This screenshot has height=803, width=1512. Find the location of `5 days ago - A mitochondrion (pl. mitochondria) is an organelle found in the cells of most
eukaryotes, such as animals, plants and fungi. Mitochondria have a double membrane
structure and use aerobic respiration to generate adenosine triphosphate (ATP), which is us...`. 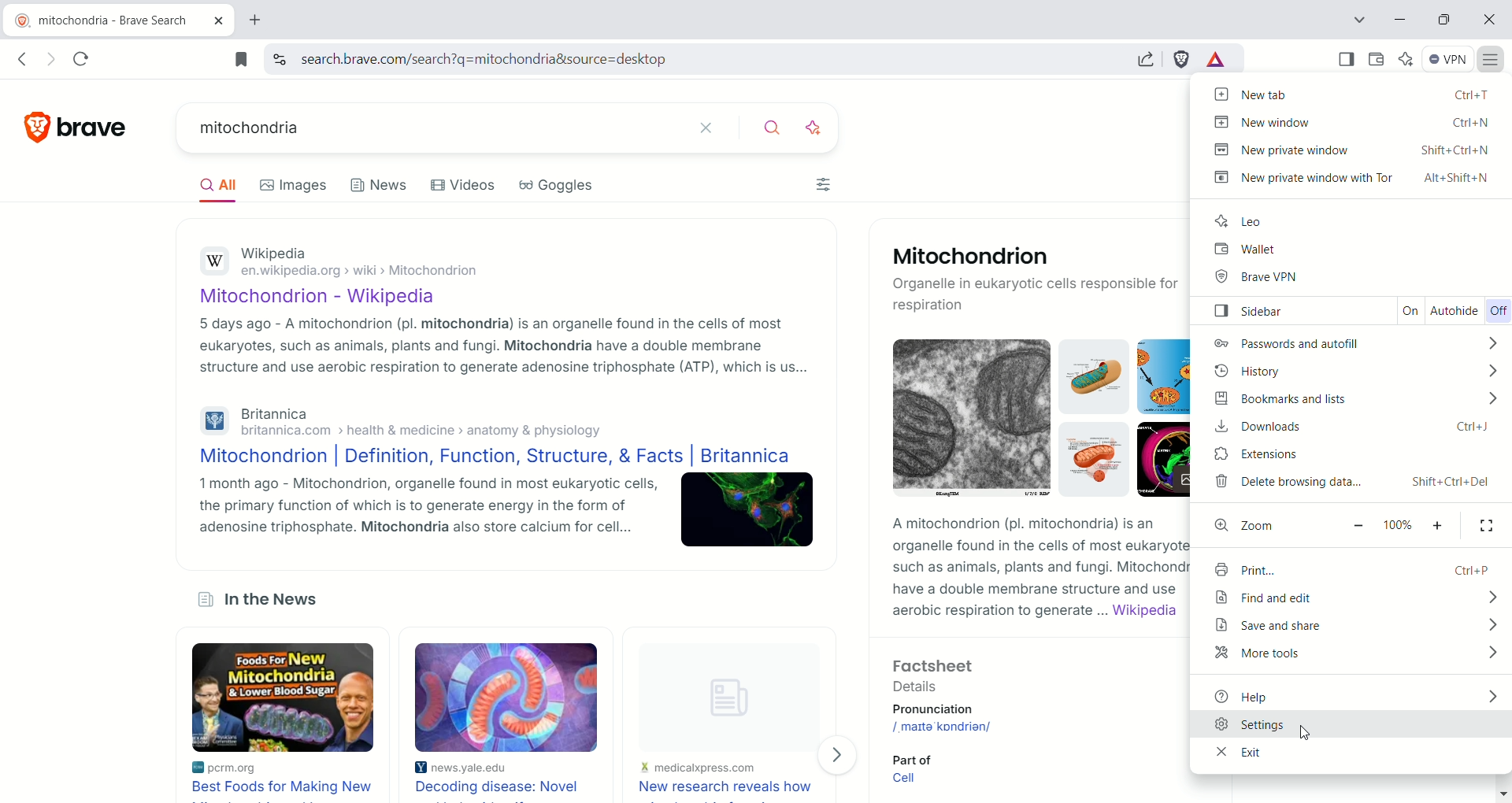

5 days ago - A mitochondrion (pl. mitochondria) is an organelle found in the cells of most
eukaryotes, such as animals, plants and fungi. Mitochondria have a double membrane
structure and use aerobic respiration to generate adenosine triphosphate (ATP), which is us... is located at coordinates (485, 348).